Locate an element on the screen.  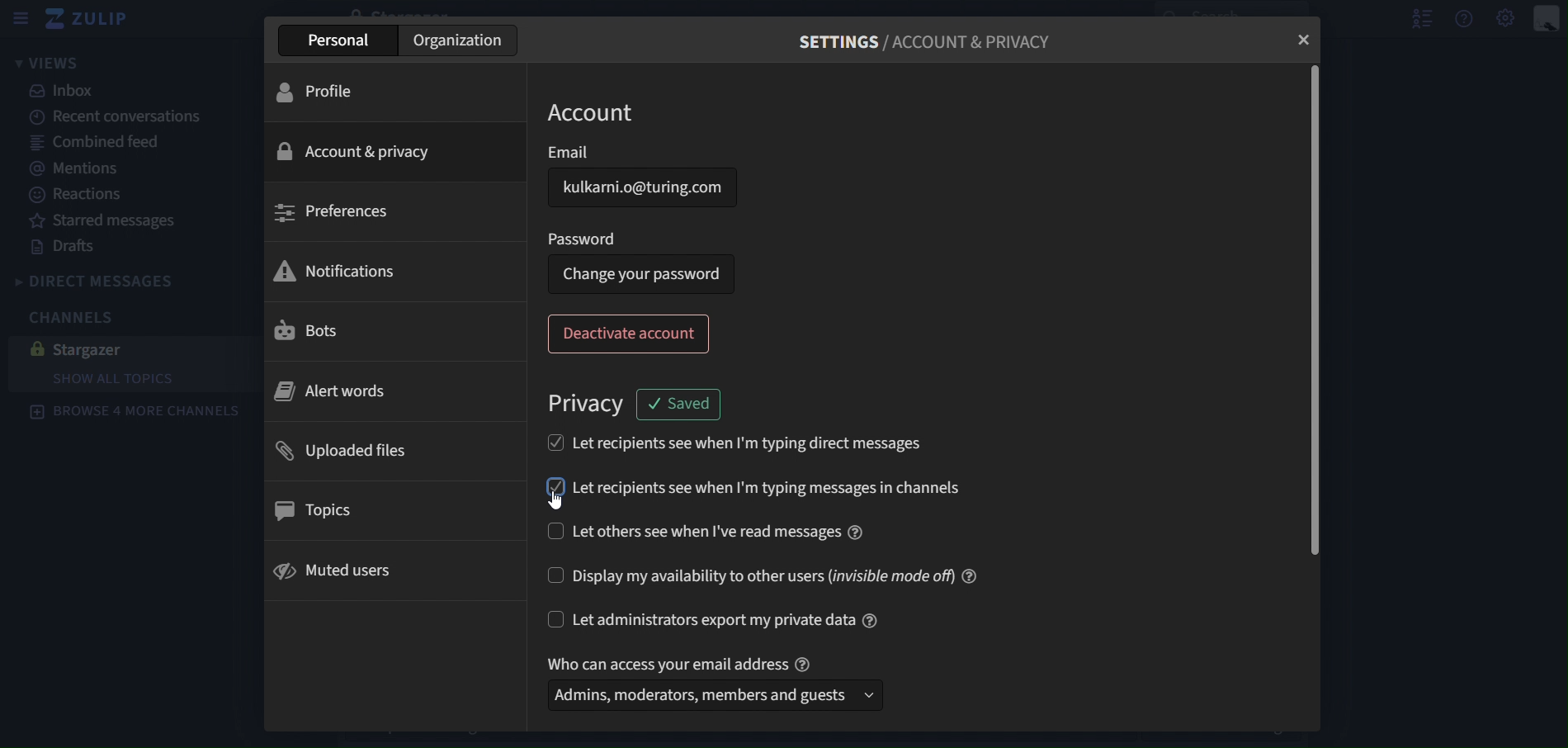
main menu is located at coordinates (1506, 17).